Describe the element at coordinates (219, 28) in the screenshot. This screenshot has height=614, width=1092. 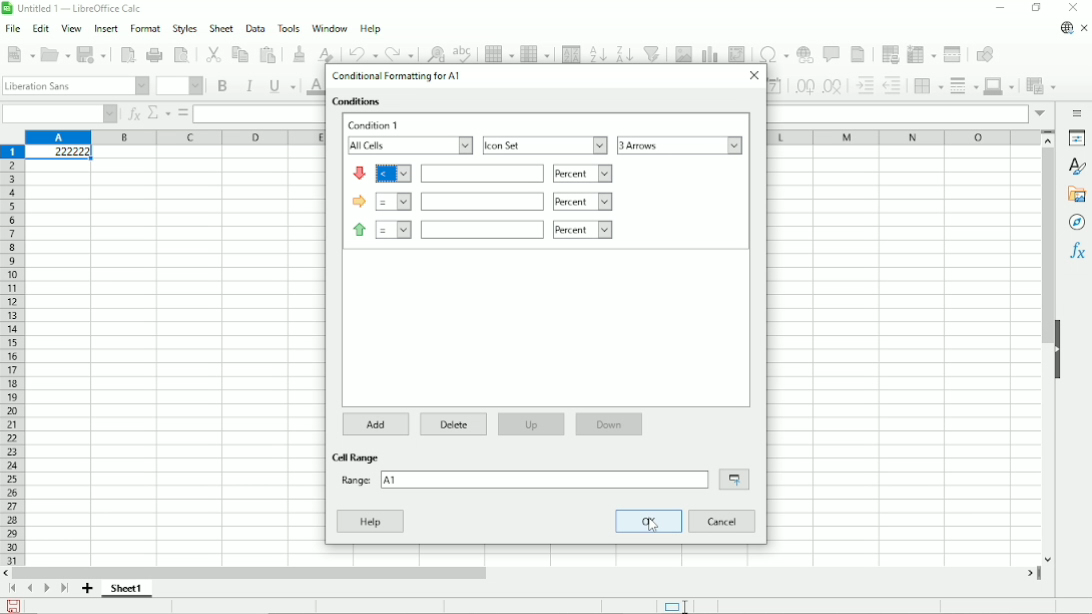
I see `Sheet` at that location.